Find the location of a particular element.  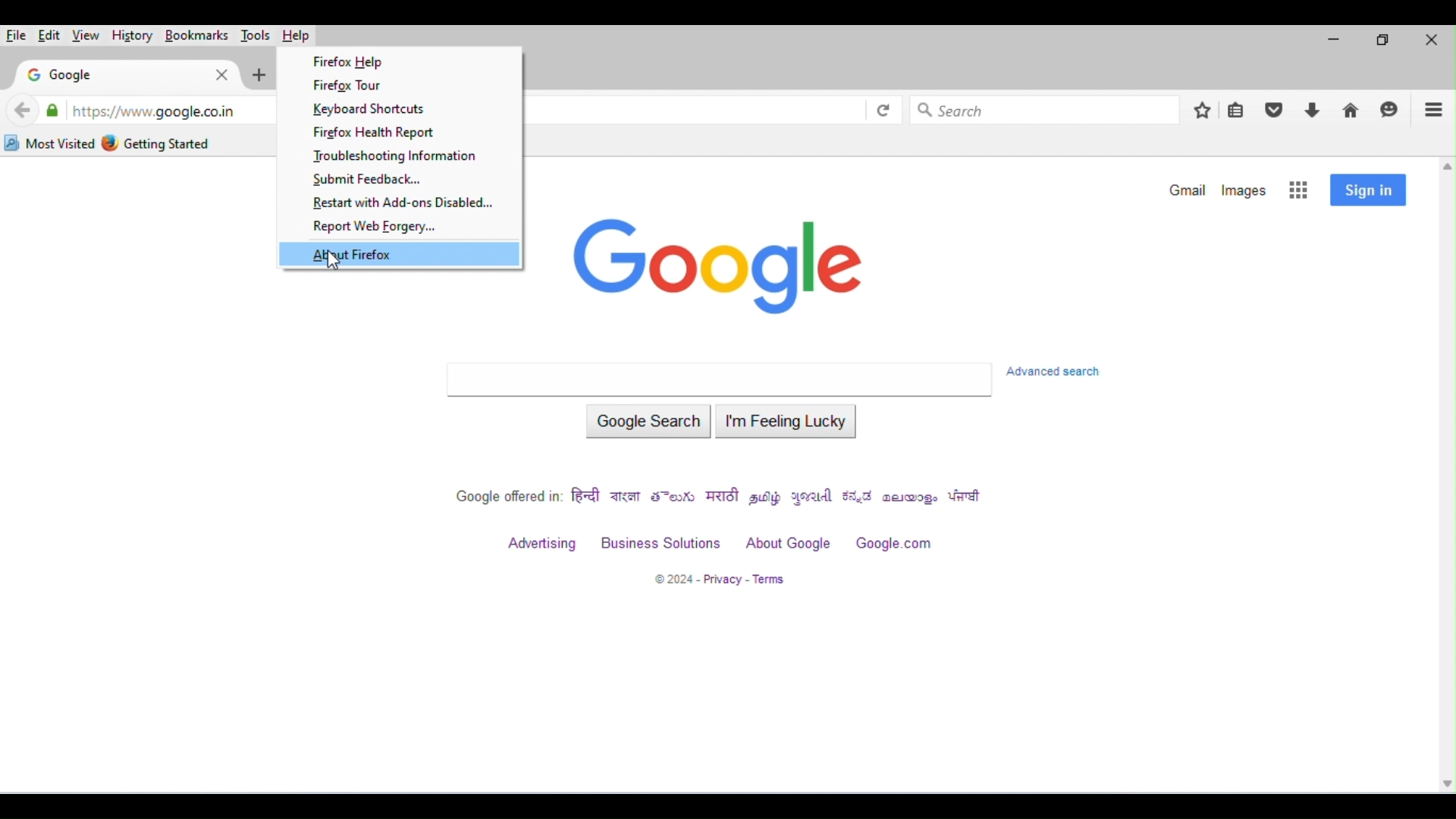

close  is located at coordinates (218, 75).